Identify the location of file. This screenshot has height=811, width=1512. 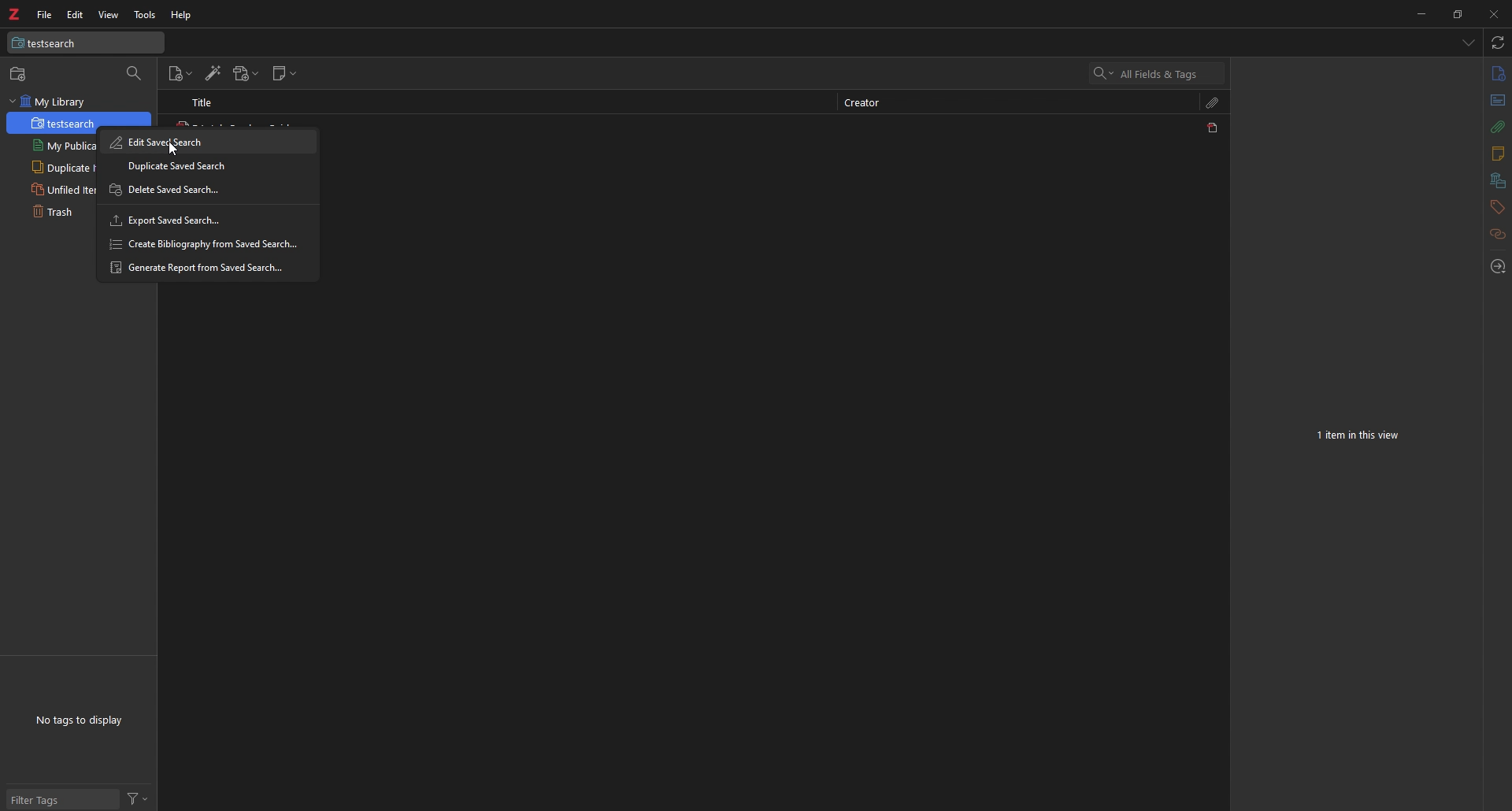
(46, 14).